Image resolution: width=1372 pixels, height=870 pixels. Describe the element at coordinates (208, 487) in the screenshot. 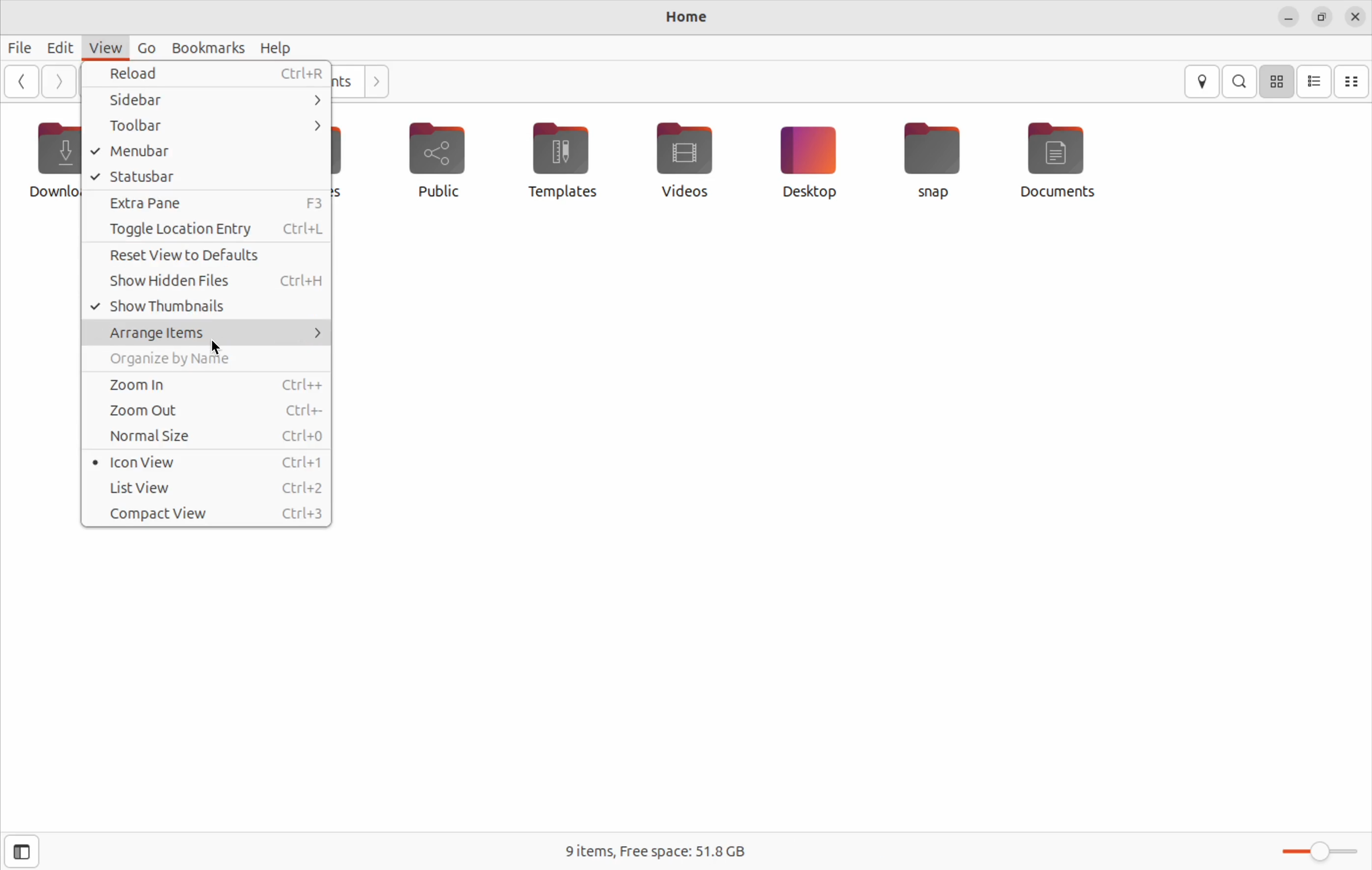

I see `list view` at that location.